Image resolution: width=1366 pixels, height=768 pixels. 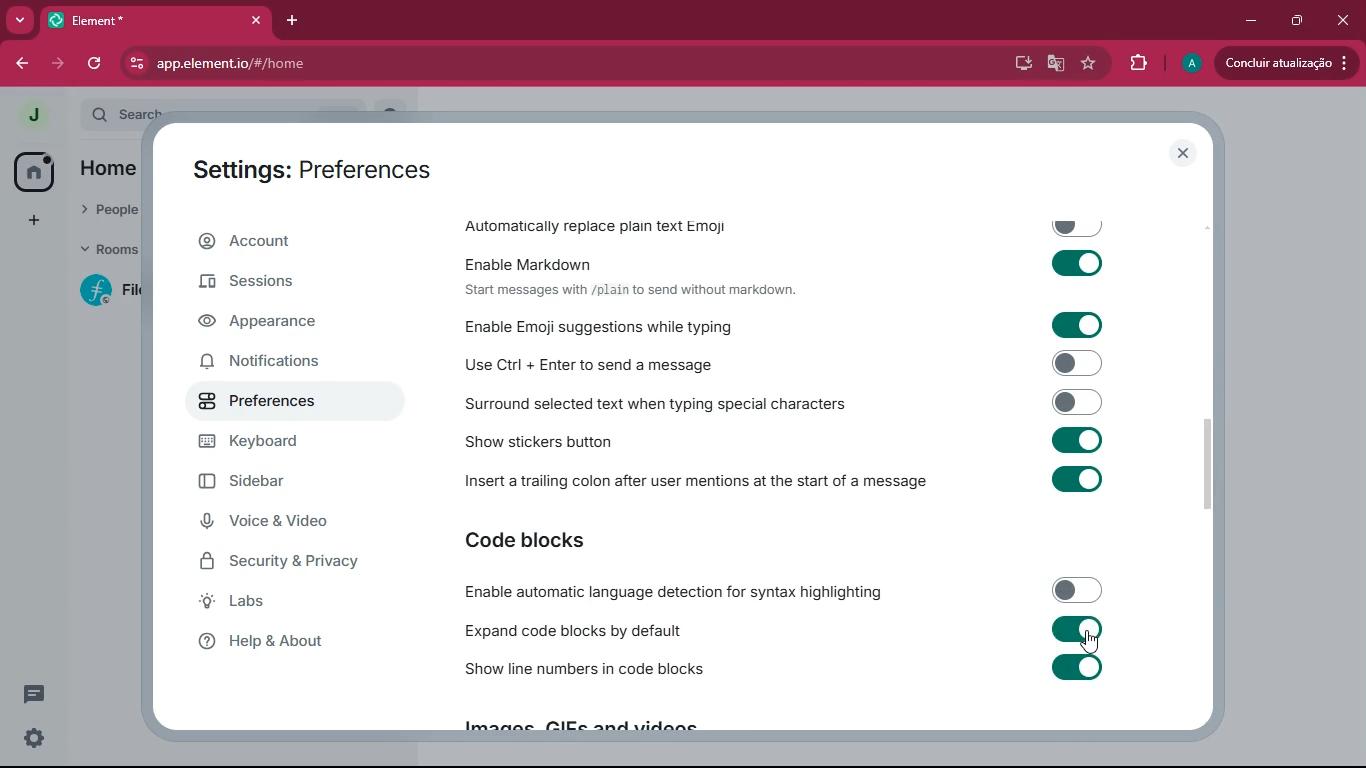 What do you see at coordinates (1190, 64) in the screenshot?
I see `profile picture` at bounding box center [1190, 64].